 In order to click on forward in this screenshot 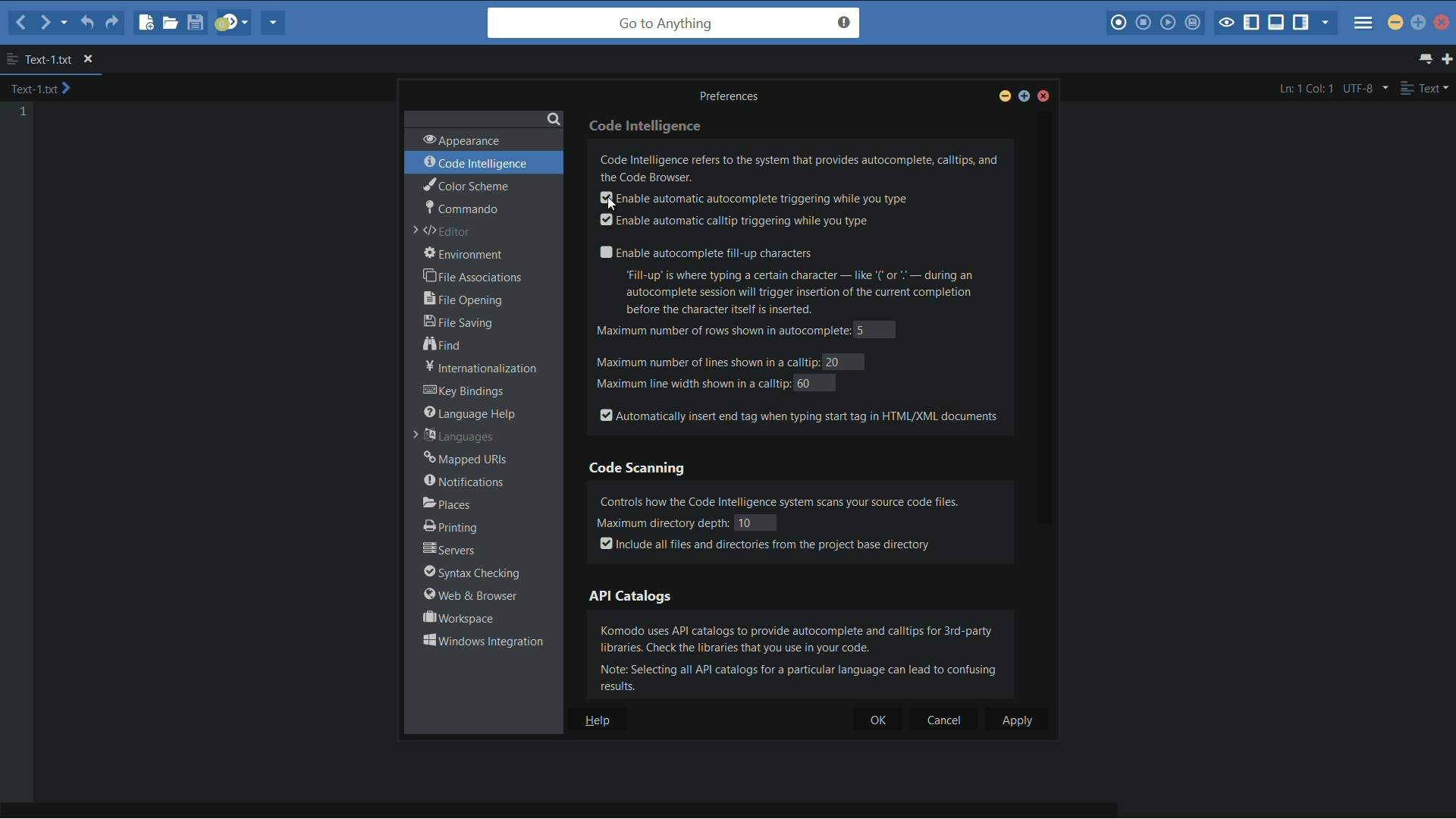, I will do `click(42, 22)`.